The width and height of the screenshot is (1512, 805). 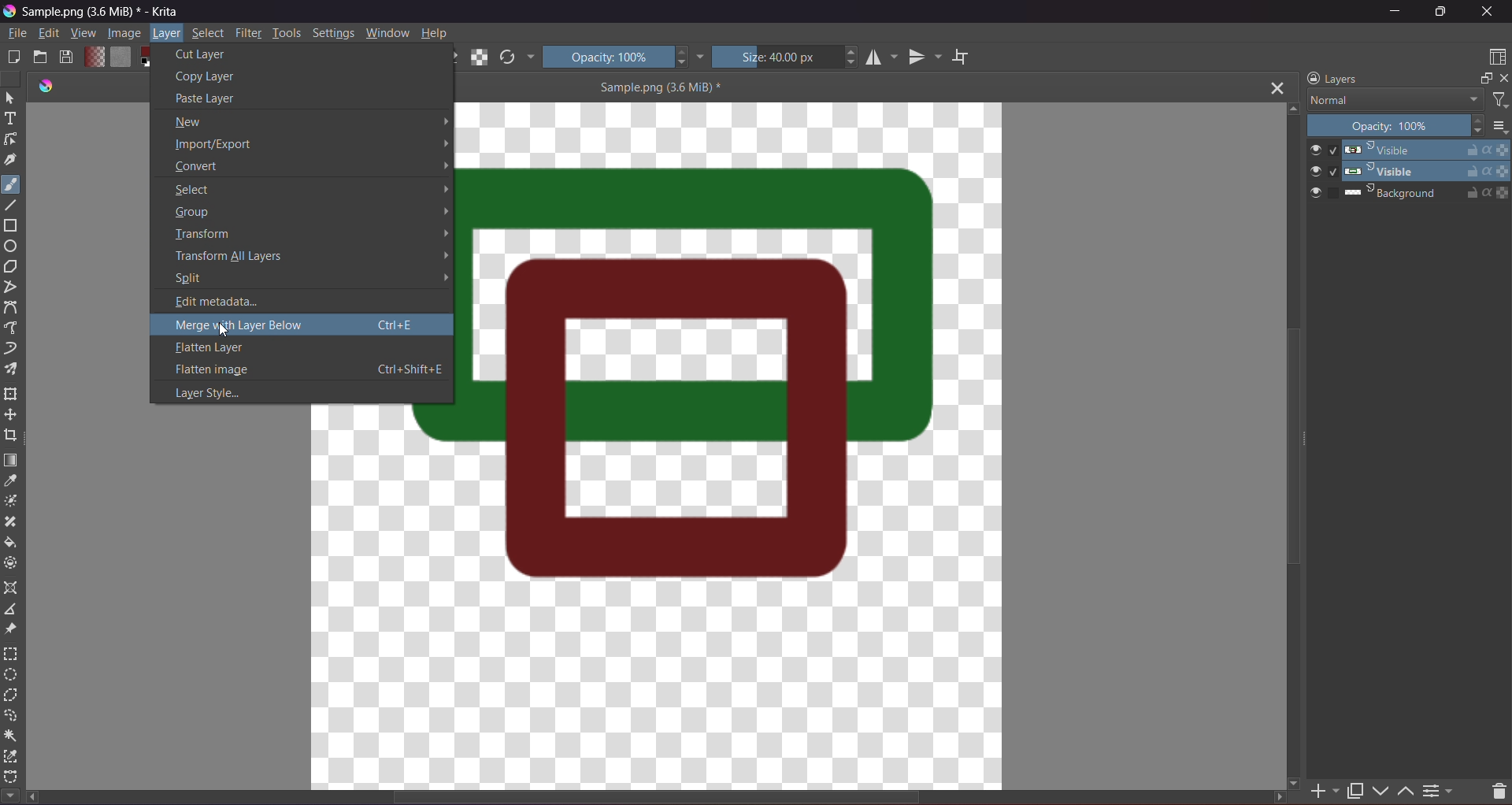 I want to click on Fill Color, so click(x=119, y=56).